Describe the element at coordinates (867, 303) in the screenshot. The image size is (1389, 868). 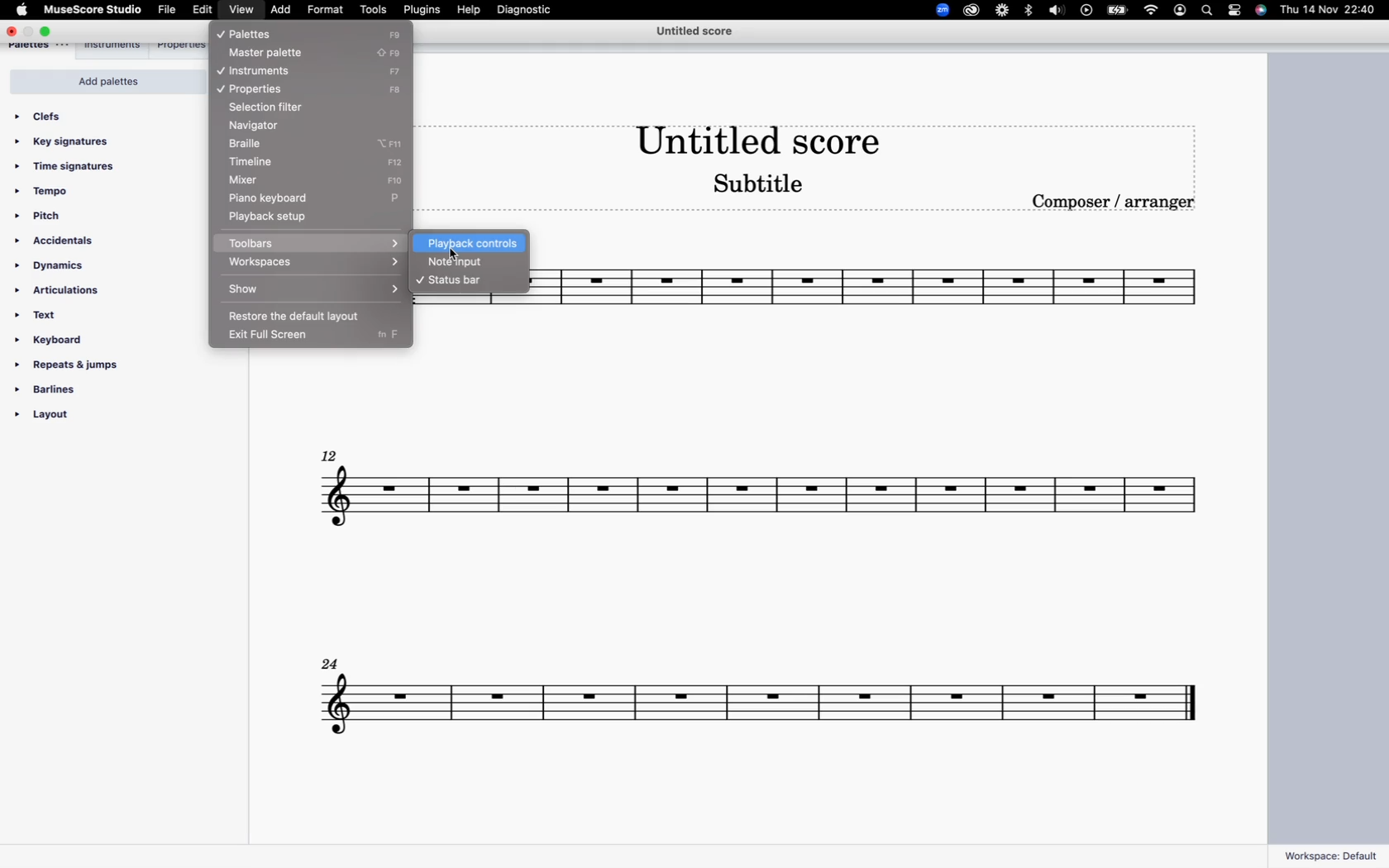
I see `score` at that location.